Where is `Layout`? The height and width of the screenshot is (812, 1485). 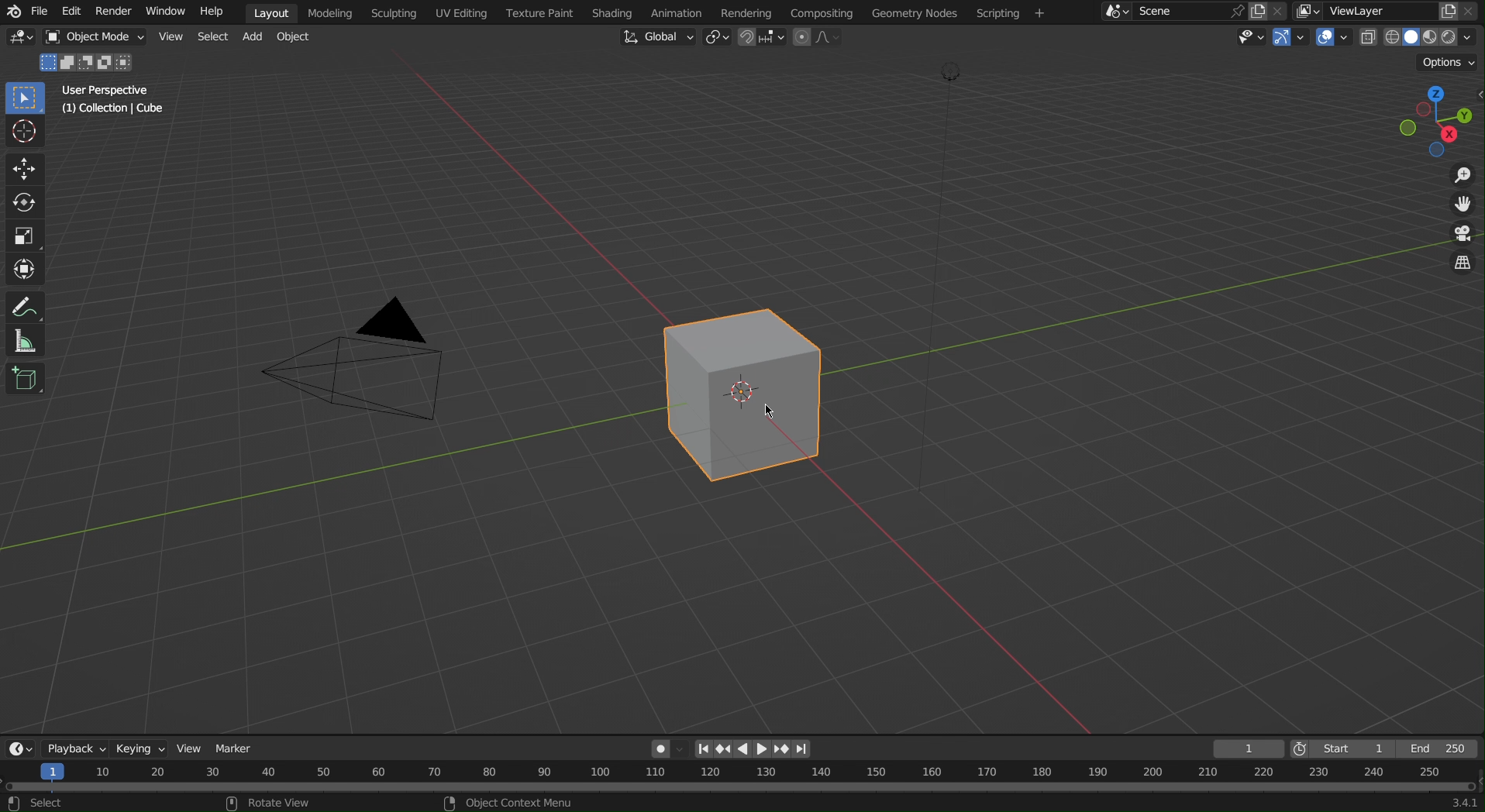 Layout is located at coordinates (267, 11).